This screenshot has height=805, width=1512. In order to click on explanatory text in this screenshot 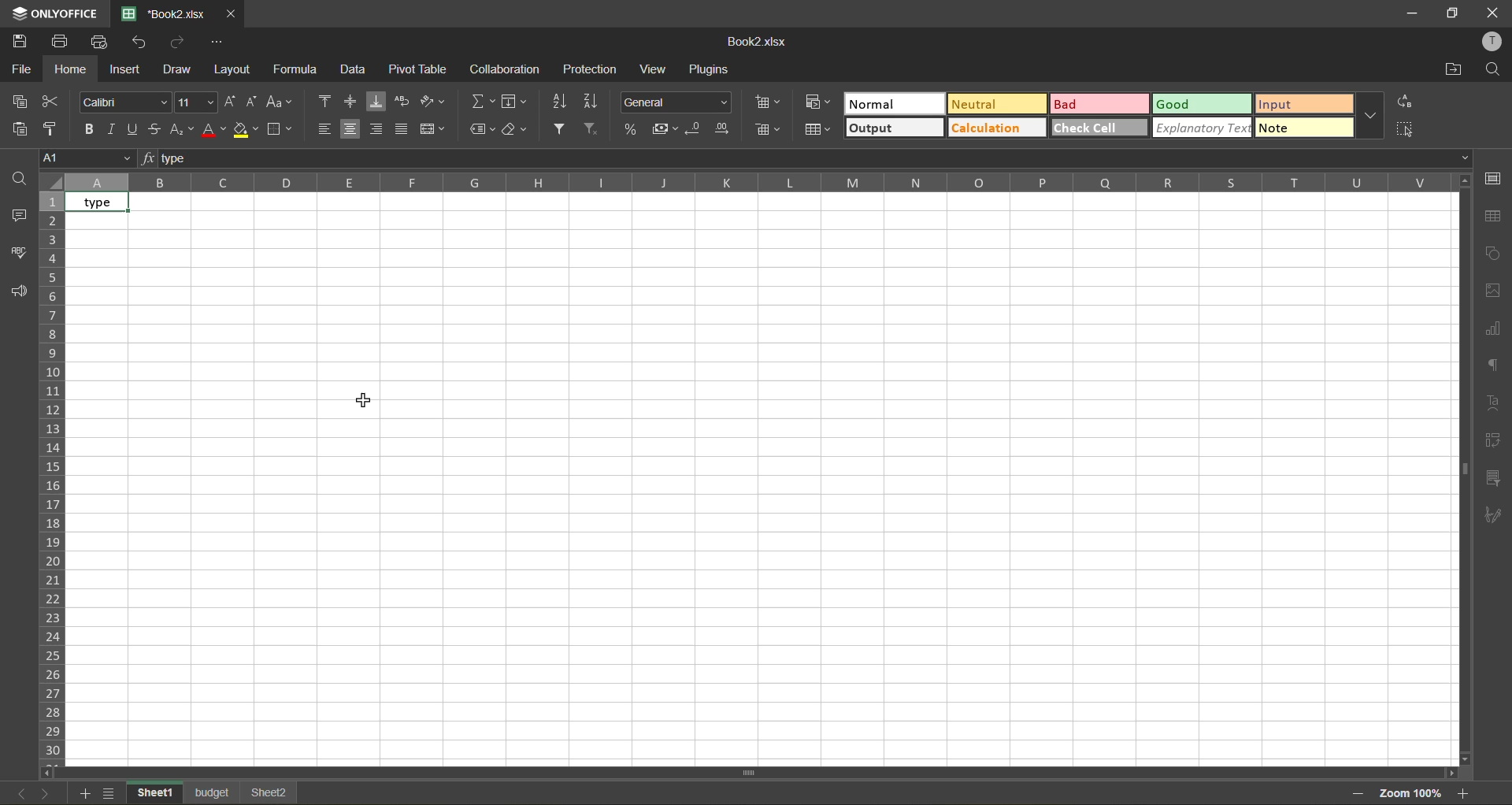, I will do `click(1201, 129)`.